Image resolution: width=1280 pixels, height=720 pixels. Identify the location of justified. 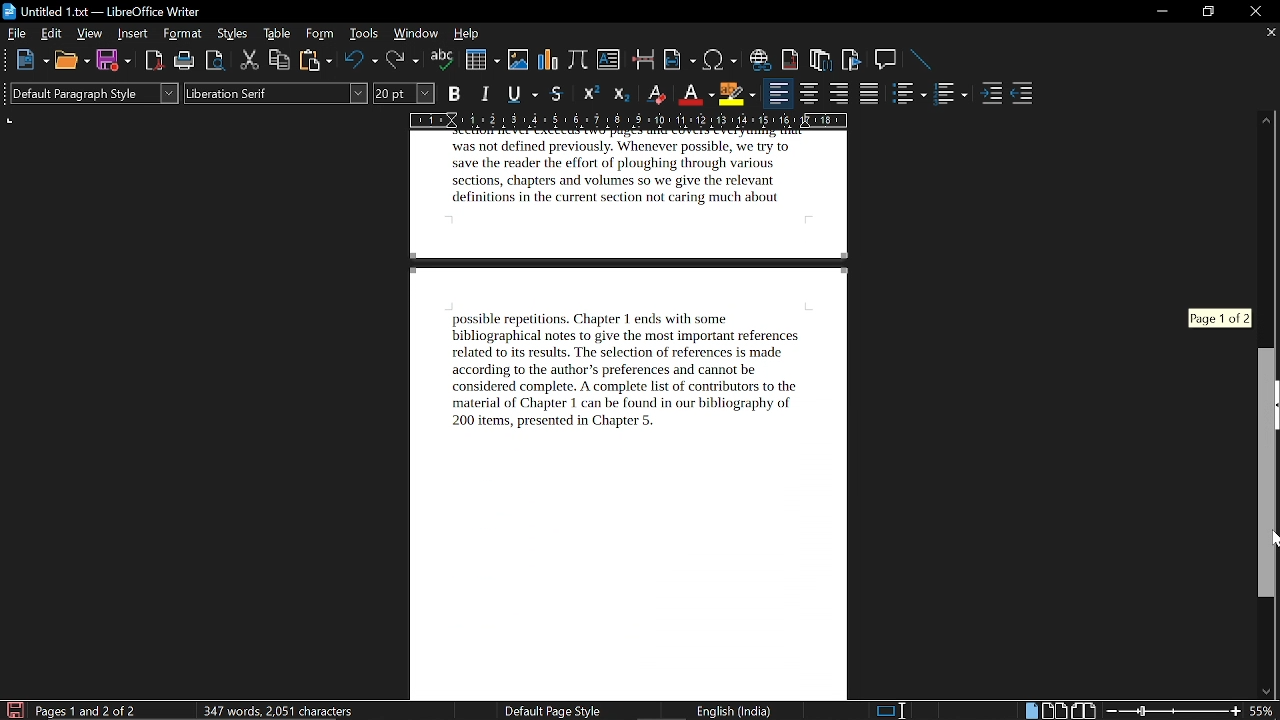
(870, 95).